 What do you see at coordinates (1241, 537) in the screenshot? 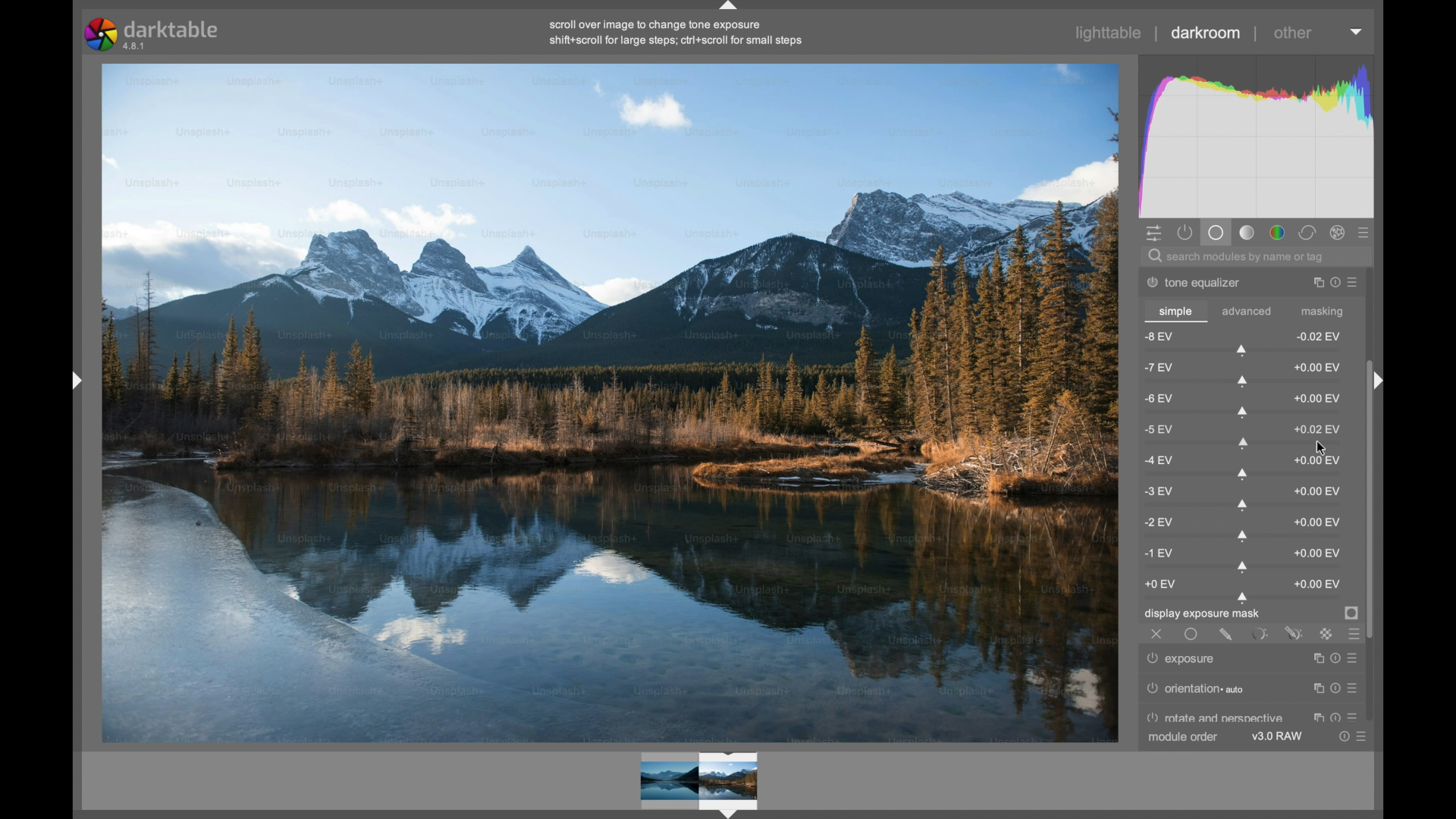
I see `slider` at bounding box center [1241, 537].